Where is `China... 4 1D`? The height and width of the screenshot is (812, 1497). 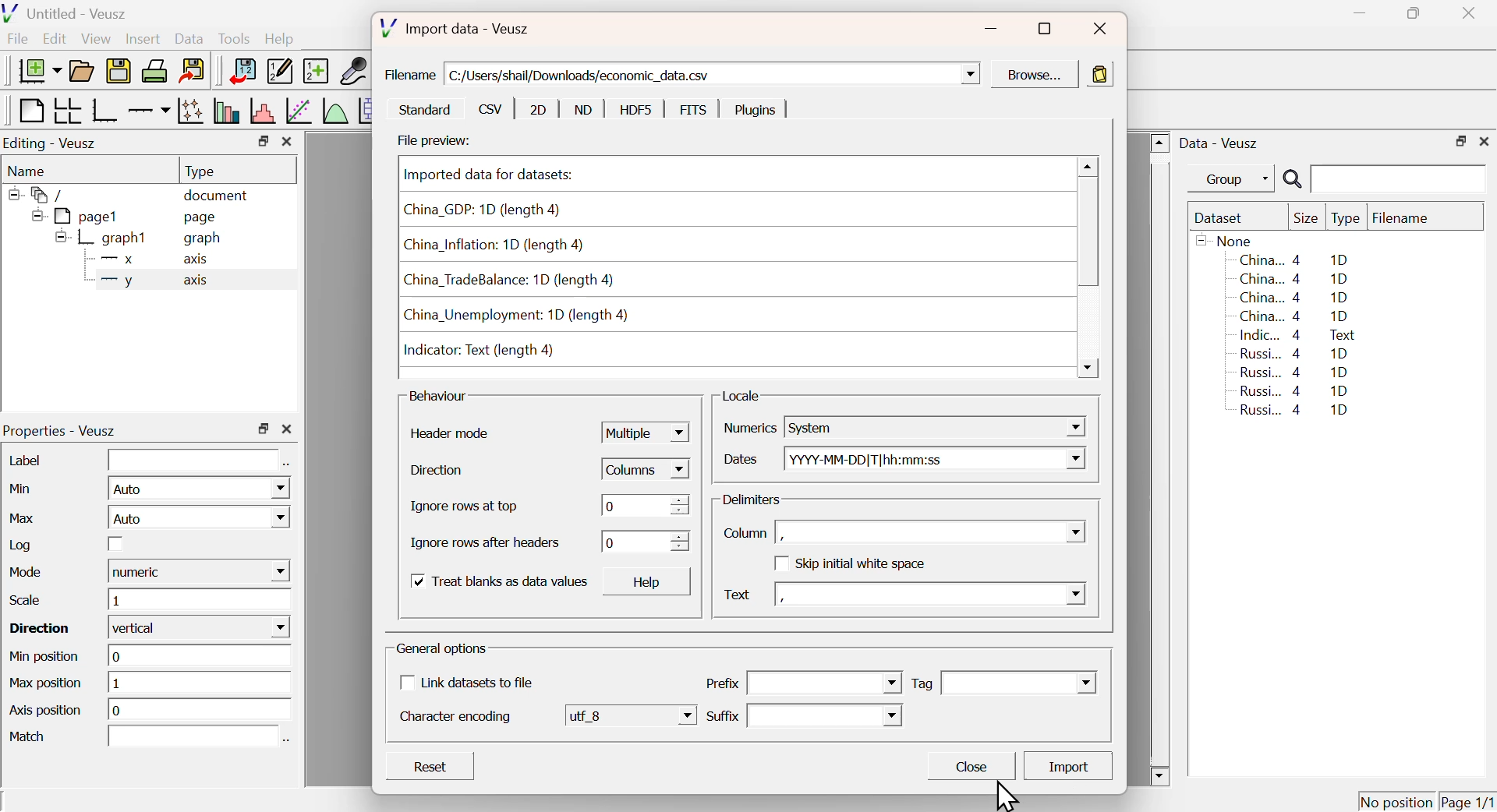
China... 4 1D is located at coordinates (1294, 259).